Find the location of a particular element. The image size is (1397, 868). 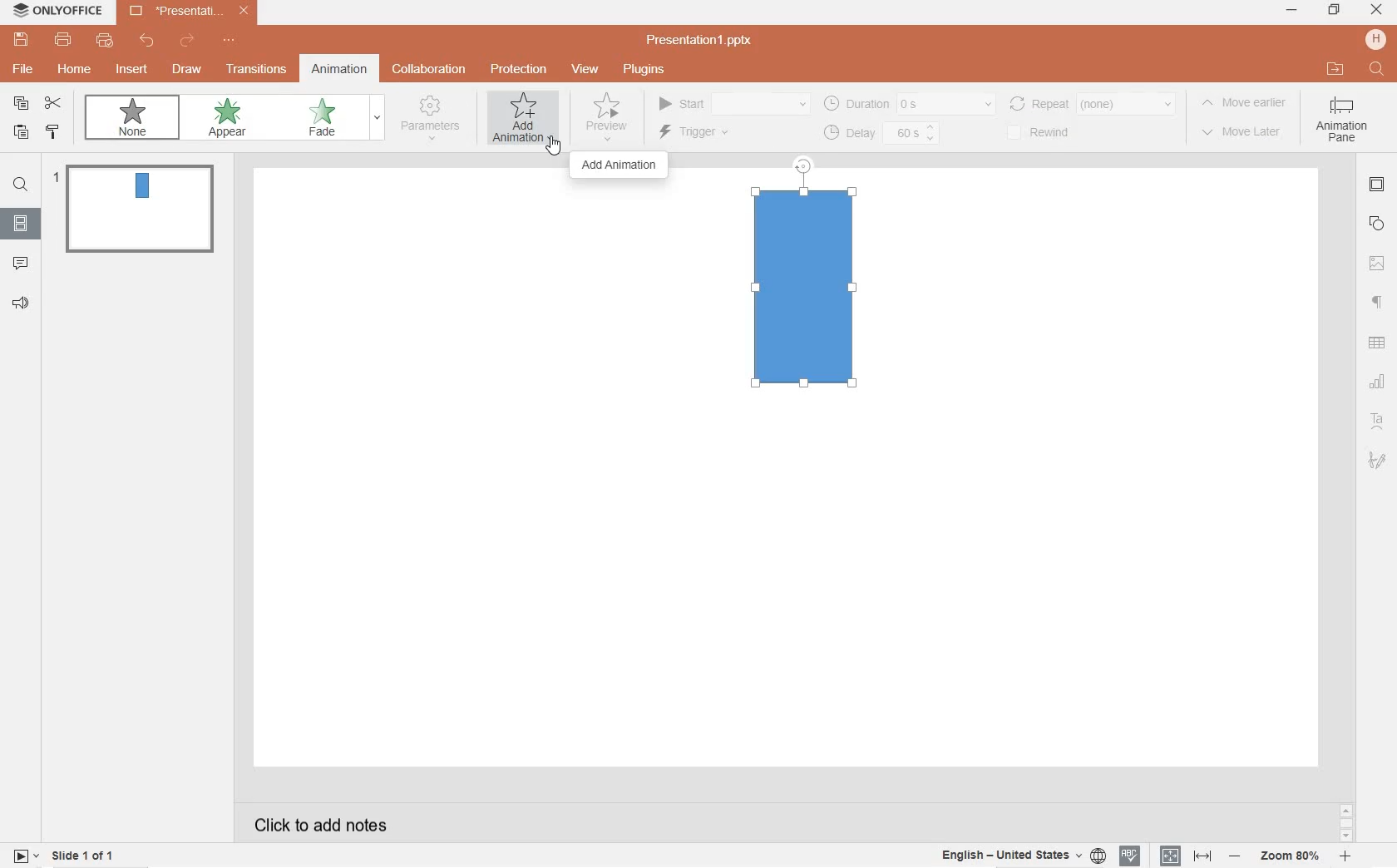

slide 1 is located at coordinates (138, 207).